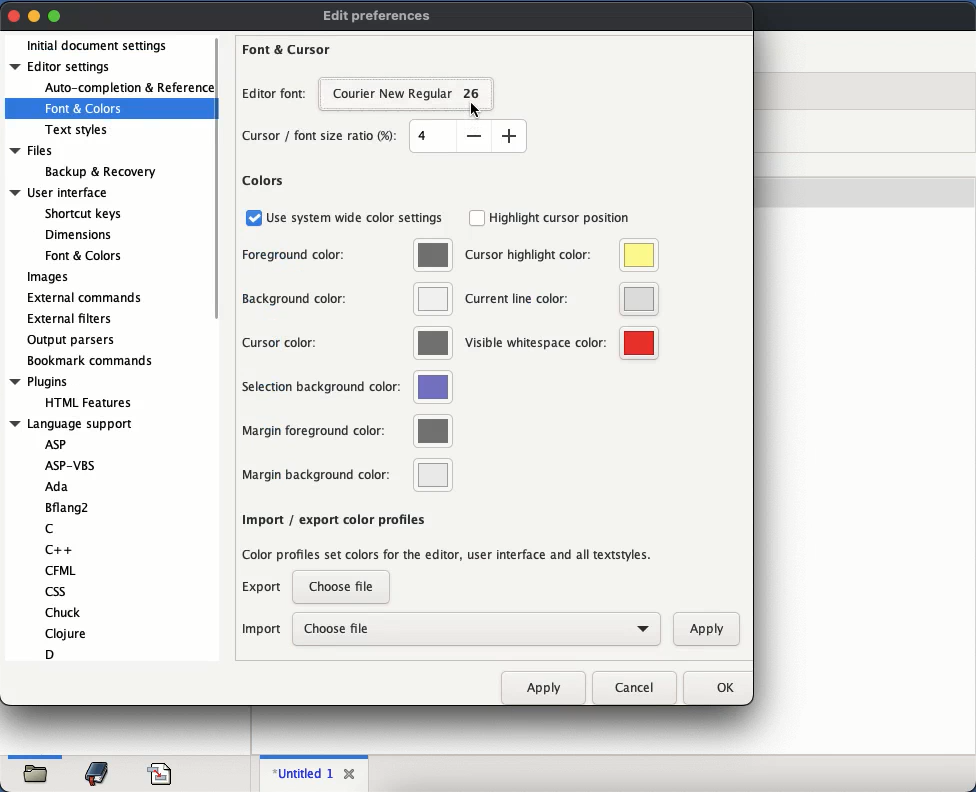 The image size is (976, 792). What do you see at coordinates (434, 255) in the screenshot?
I see `color` at bounding box center [434, 255].